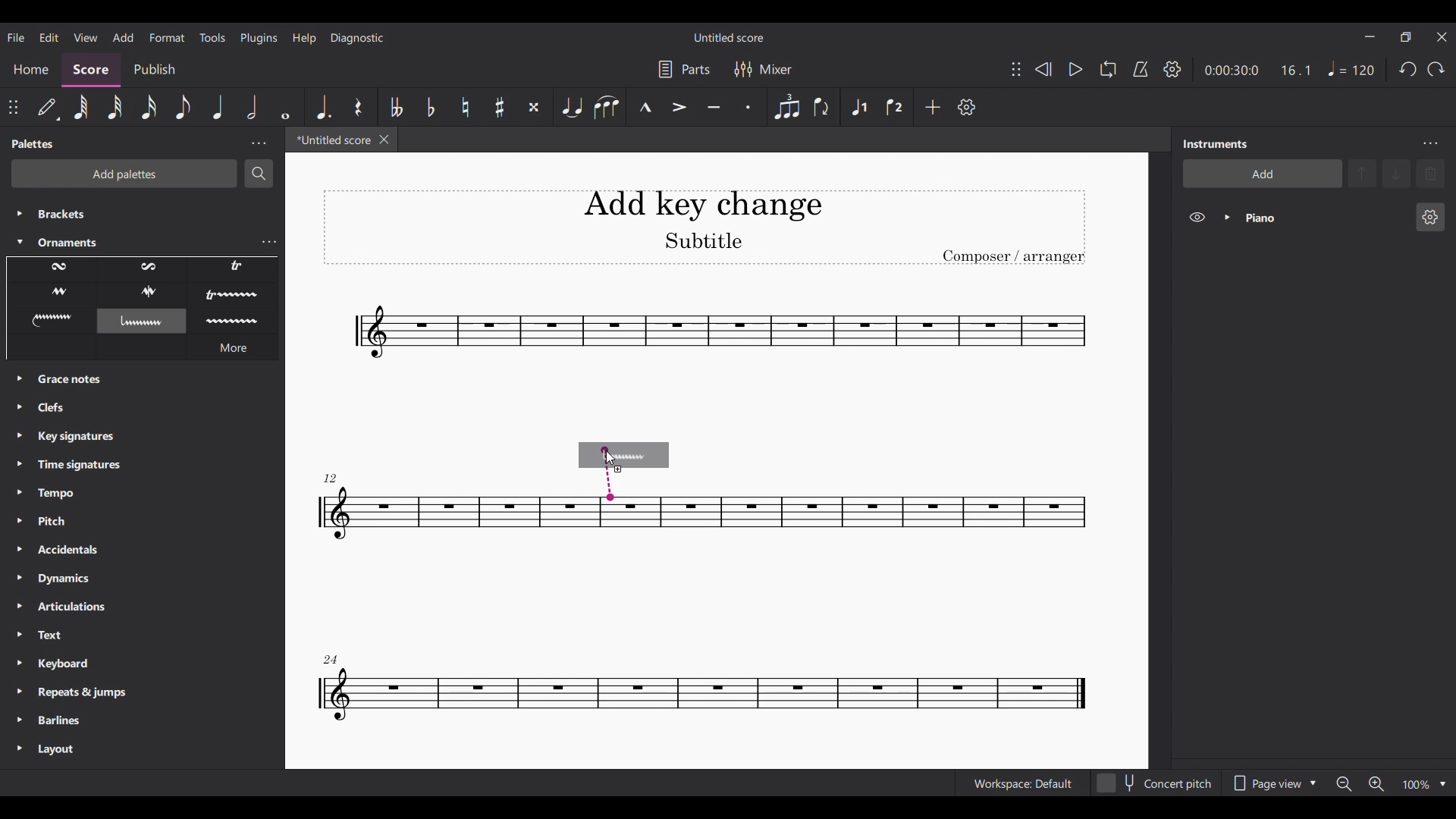 The width and height of the screenshot is (1456, 819). Describe the element at coordinates (1214, 143) in the screenshot. I see `Panel title` at that location.